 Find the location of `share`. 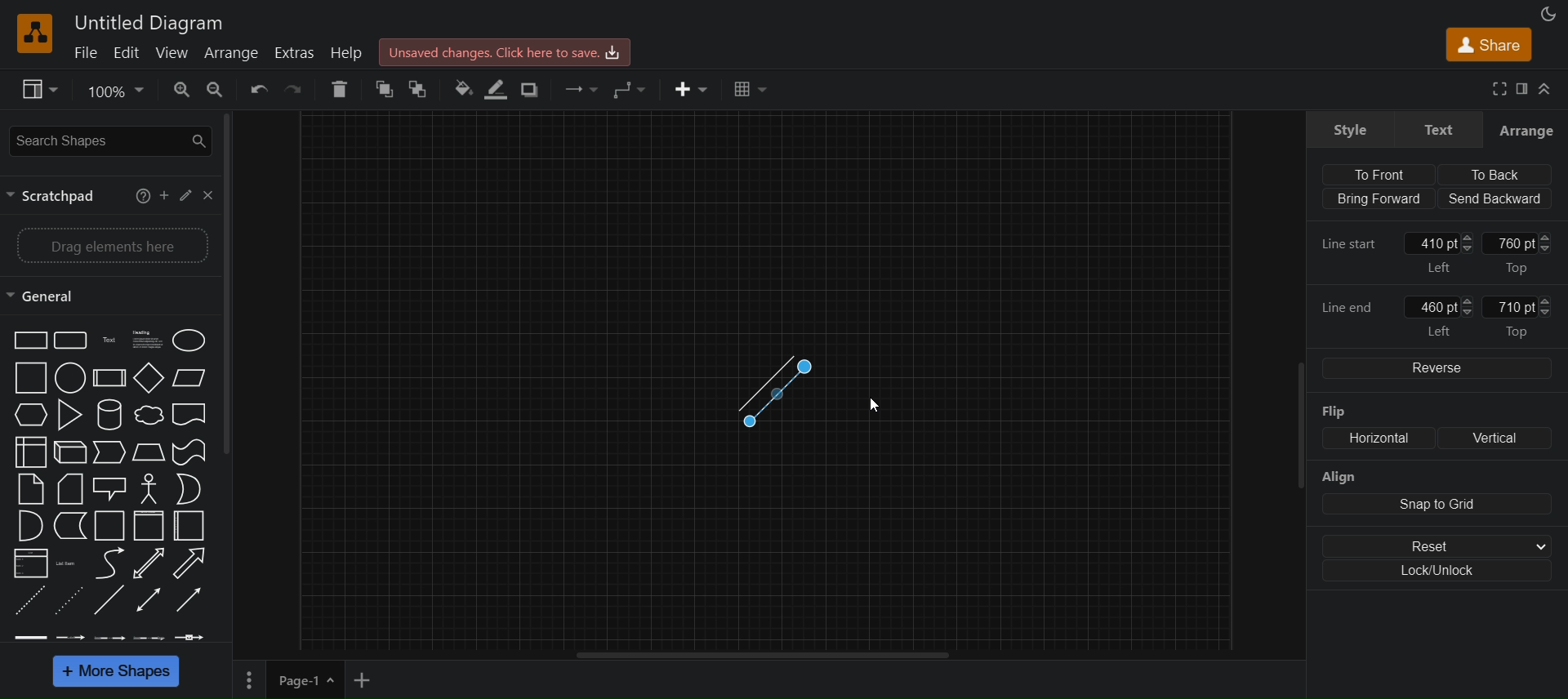

share is located at coordinates (1490, 47).